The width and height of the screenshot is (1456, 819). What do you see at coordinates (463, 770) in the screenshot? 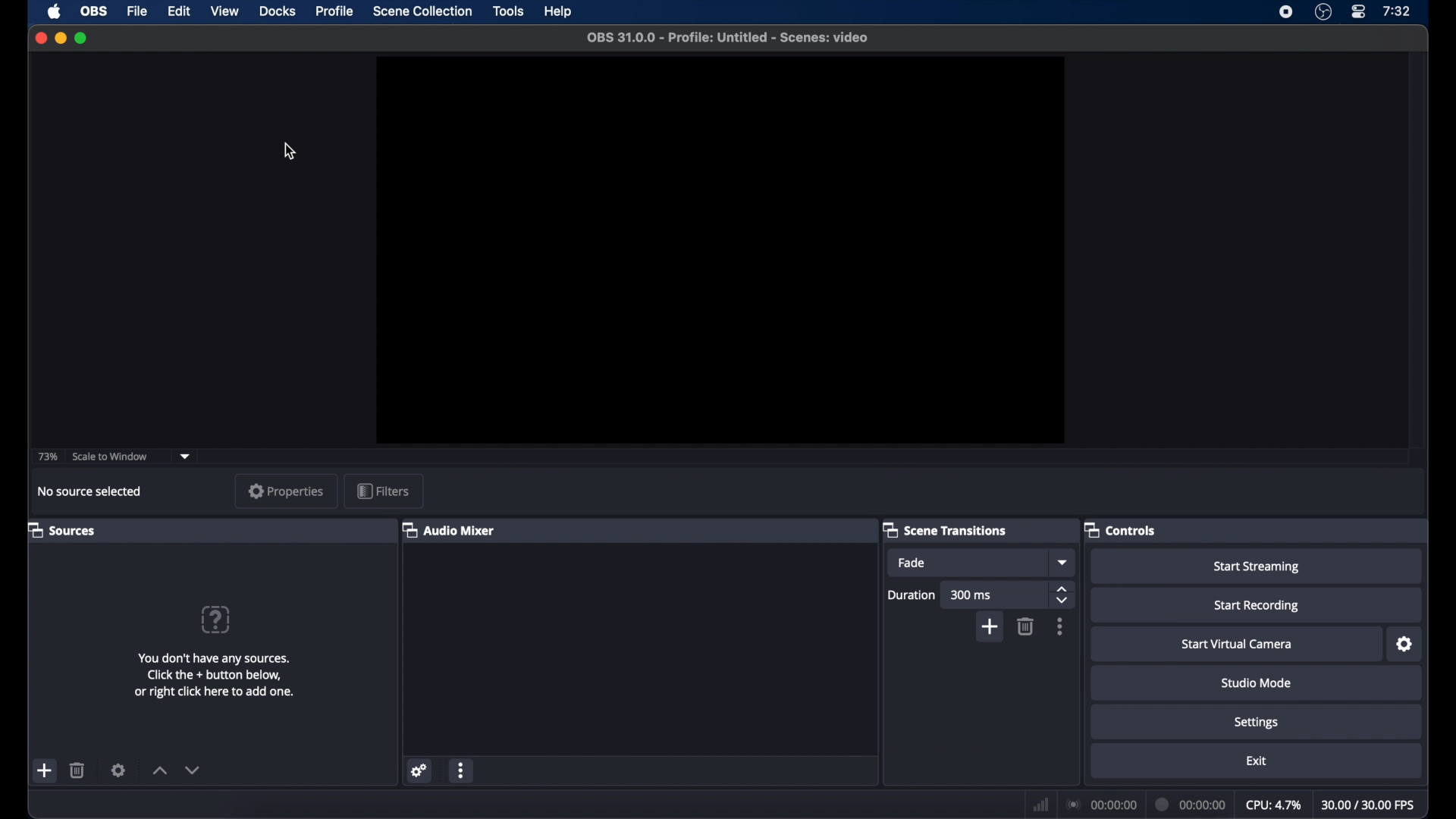
I see `more options` at bounding box center [463, 770].